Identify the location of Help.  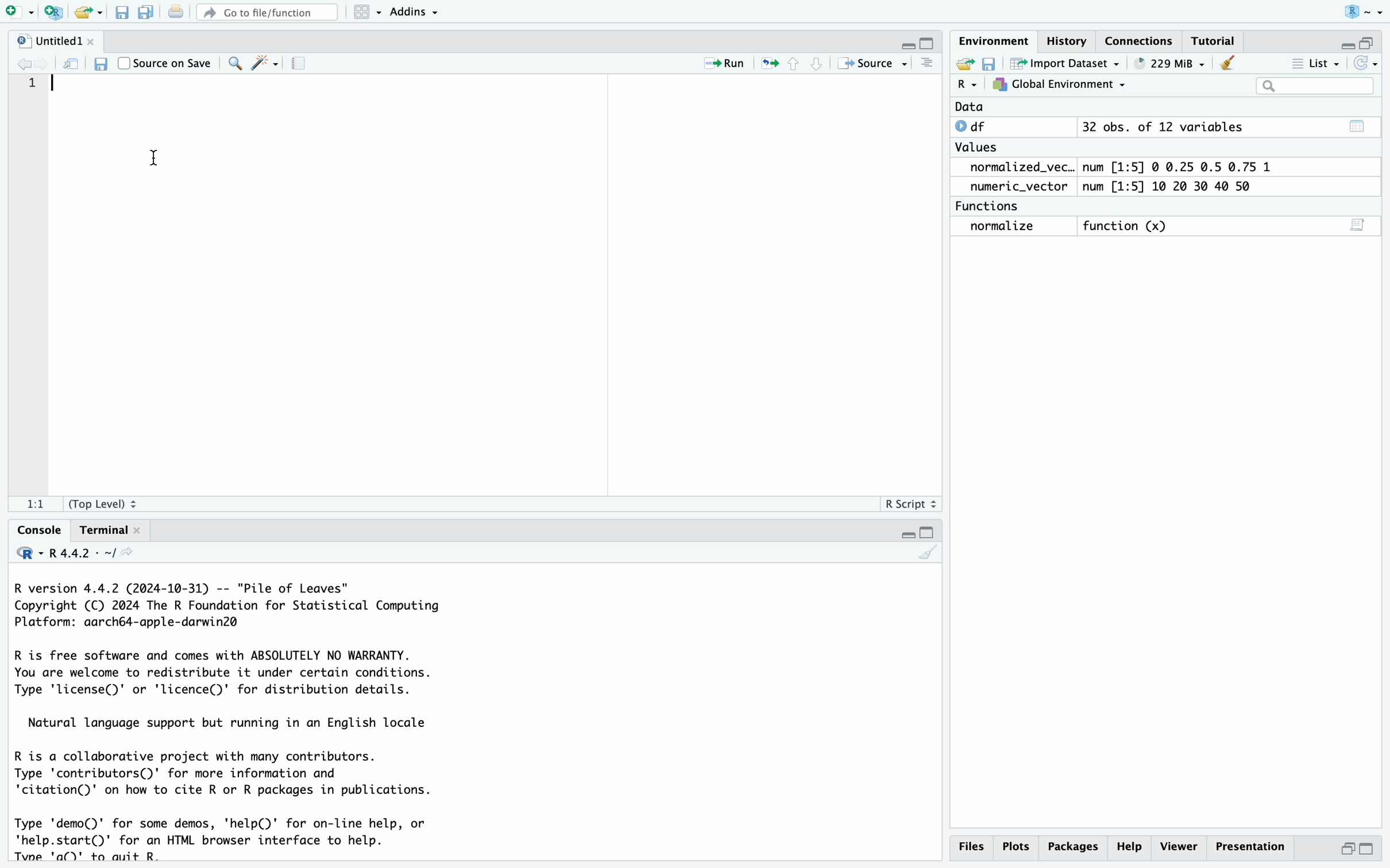
(1072, 846).